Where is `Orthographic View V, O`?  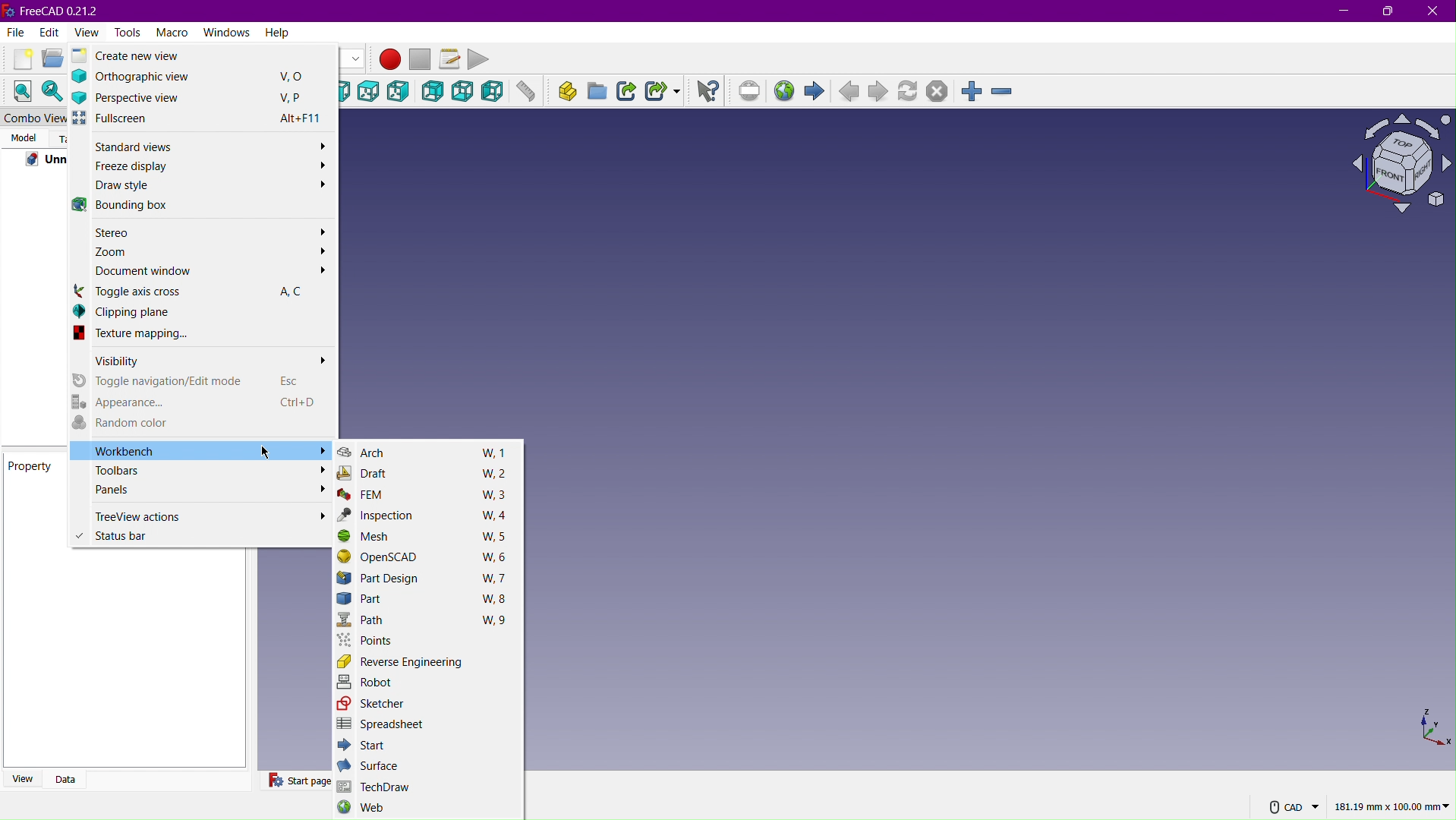
Orthographic View V, O is located at coordinates (194, 80).